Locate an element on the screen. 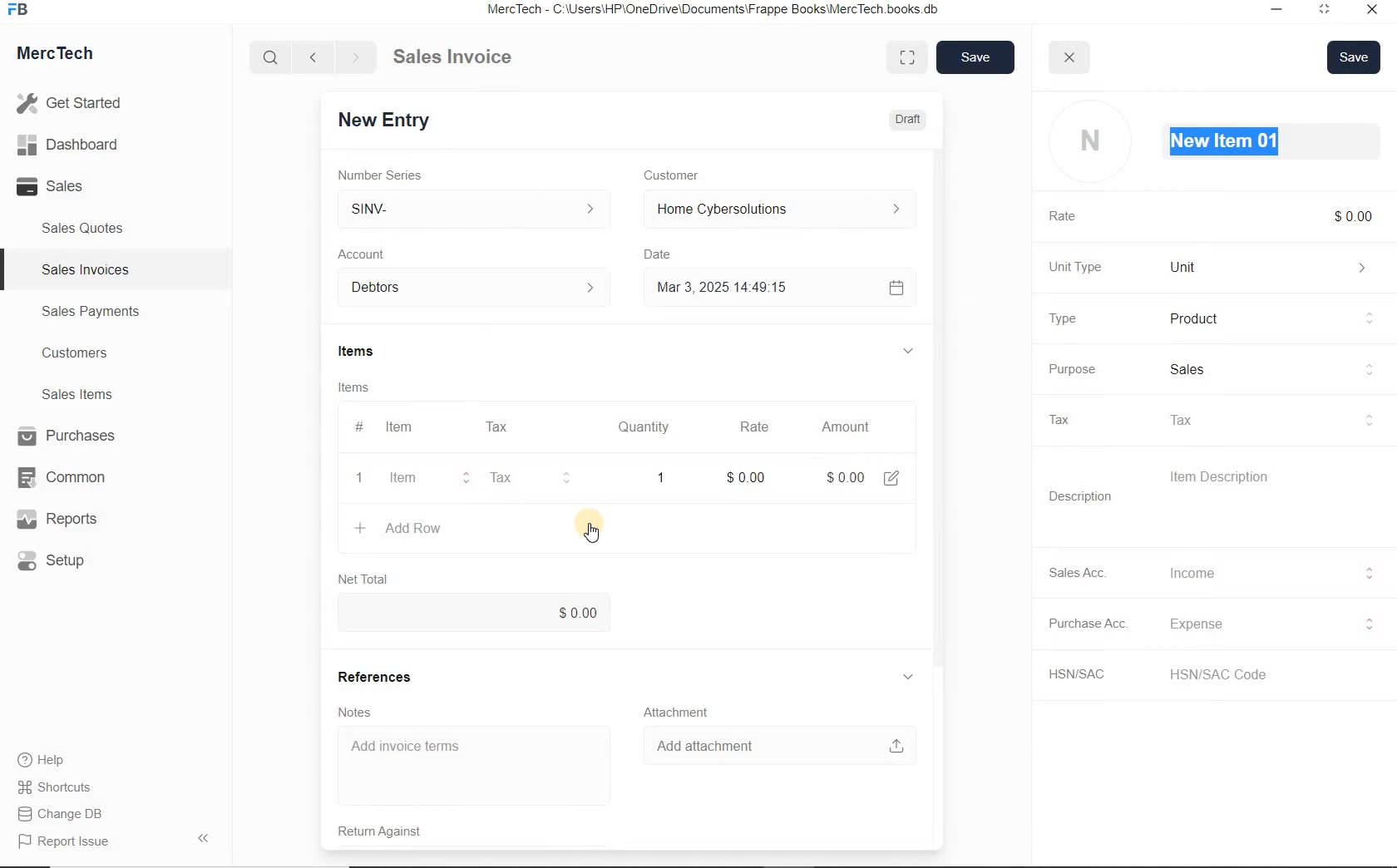 The height and width of the screenshot is (868, 1397). Attachment is located at coordinates (674, 710).